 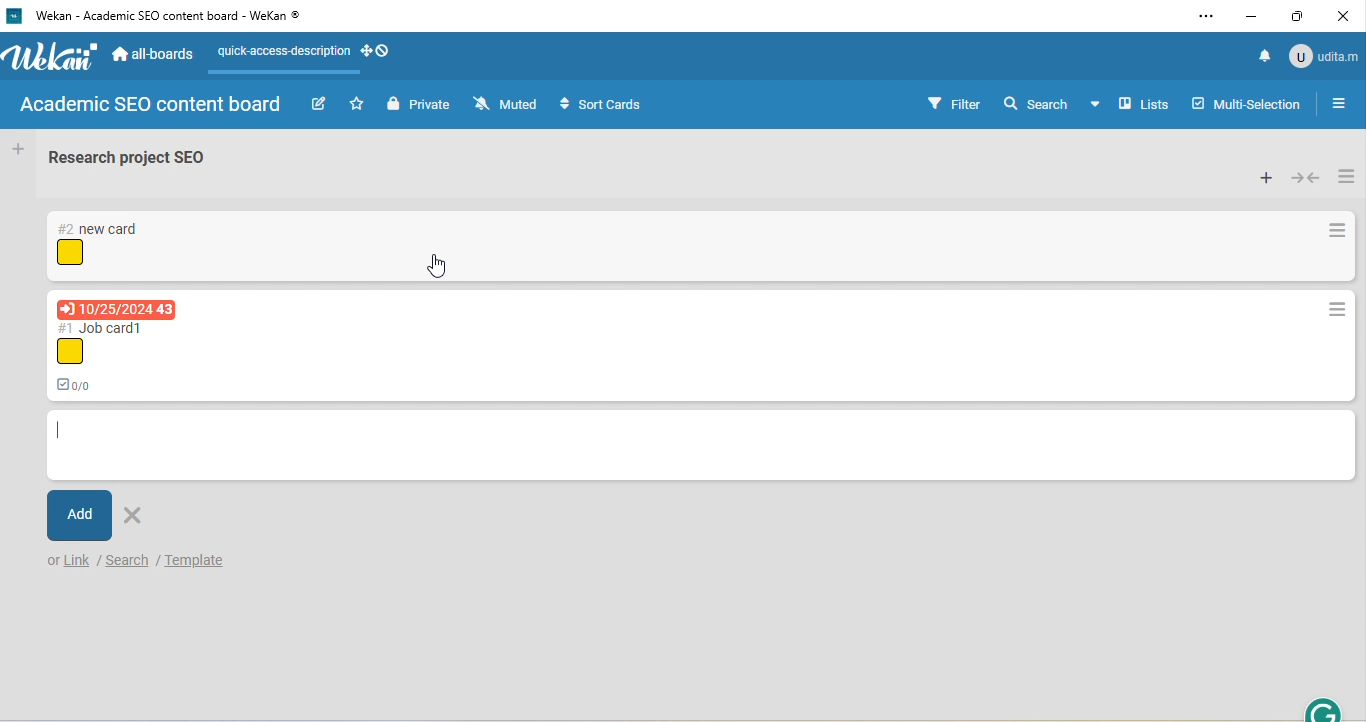 What do you see at coordinates (1345, 103) in the screenshot?
I see `toggle sidebar` at bounding box center [1345, 103].